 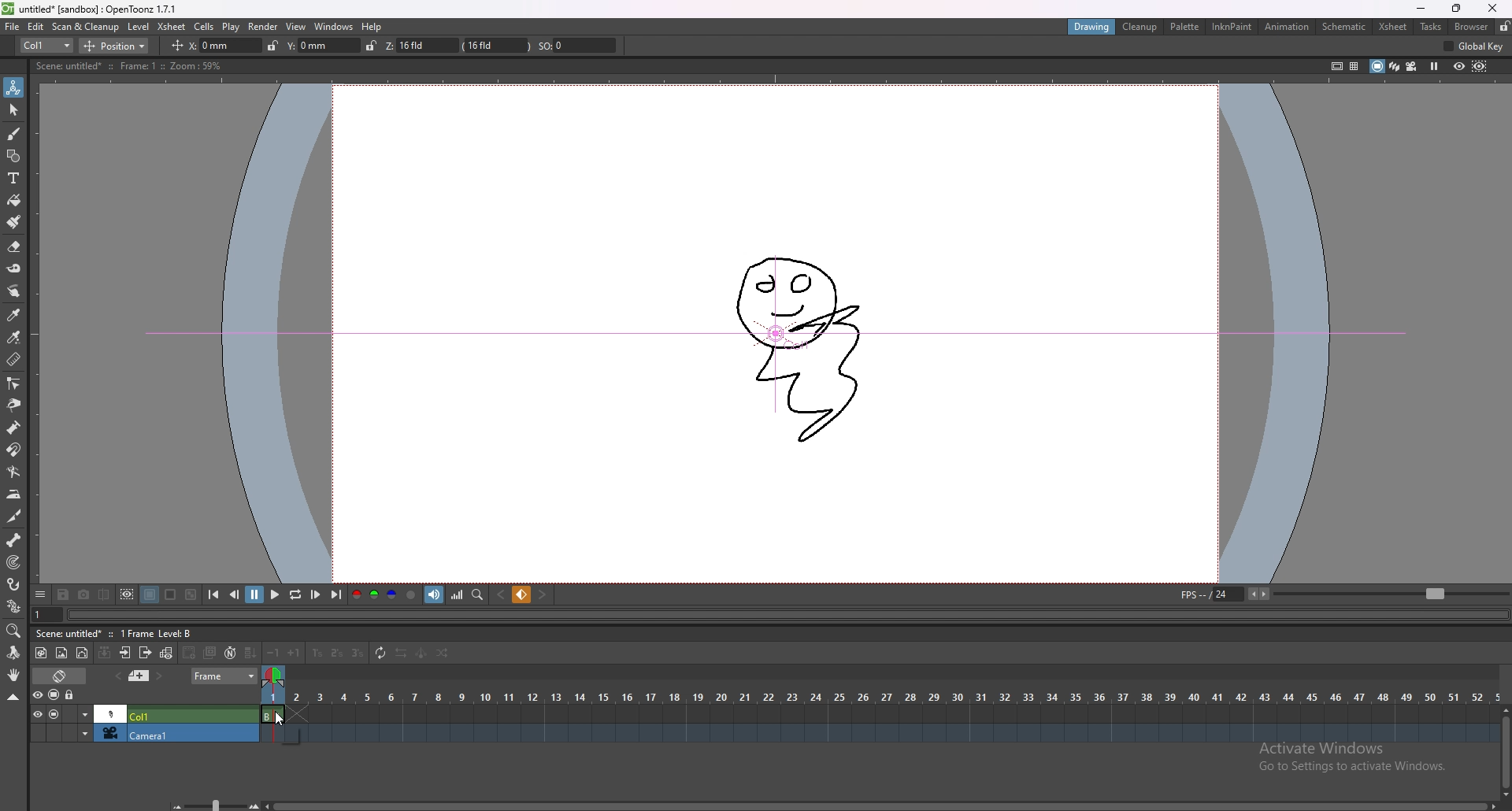 I want to click on inknpaint, so click(x=1232, y=27).